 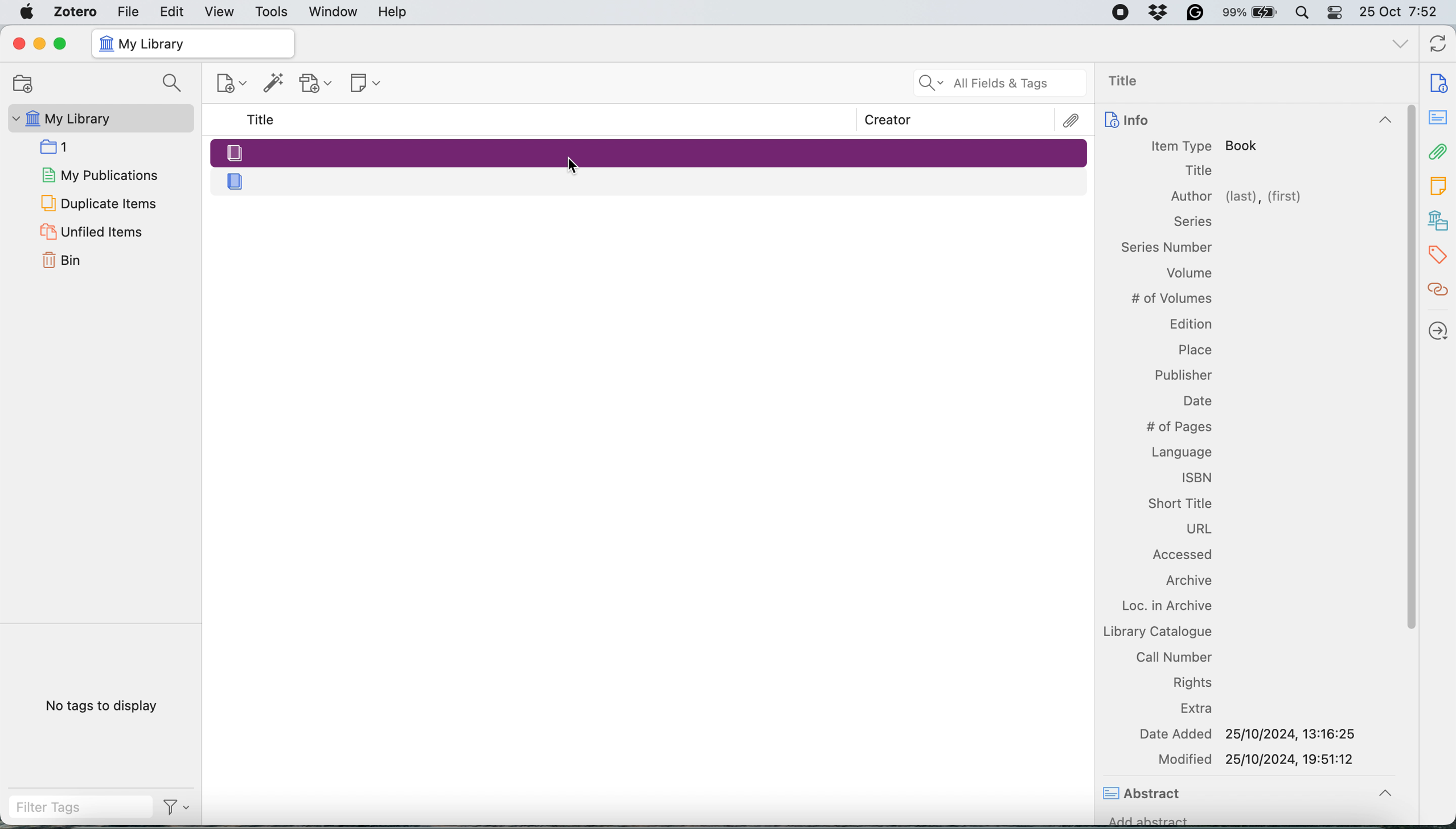 What do you see at coordinates (173, 11) in the screenshot?
I see `Edit` at bounding box center [173, 11].